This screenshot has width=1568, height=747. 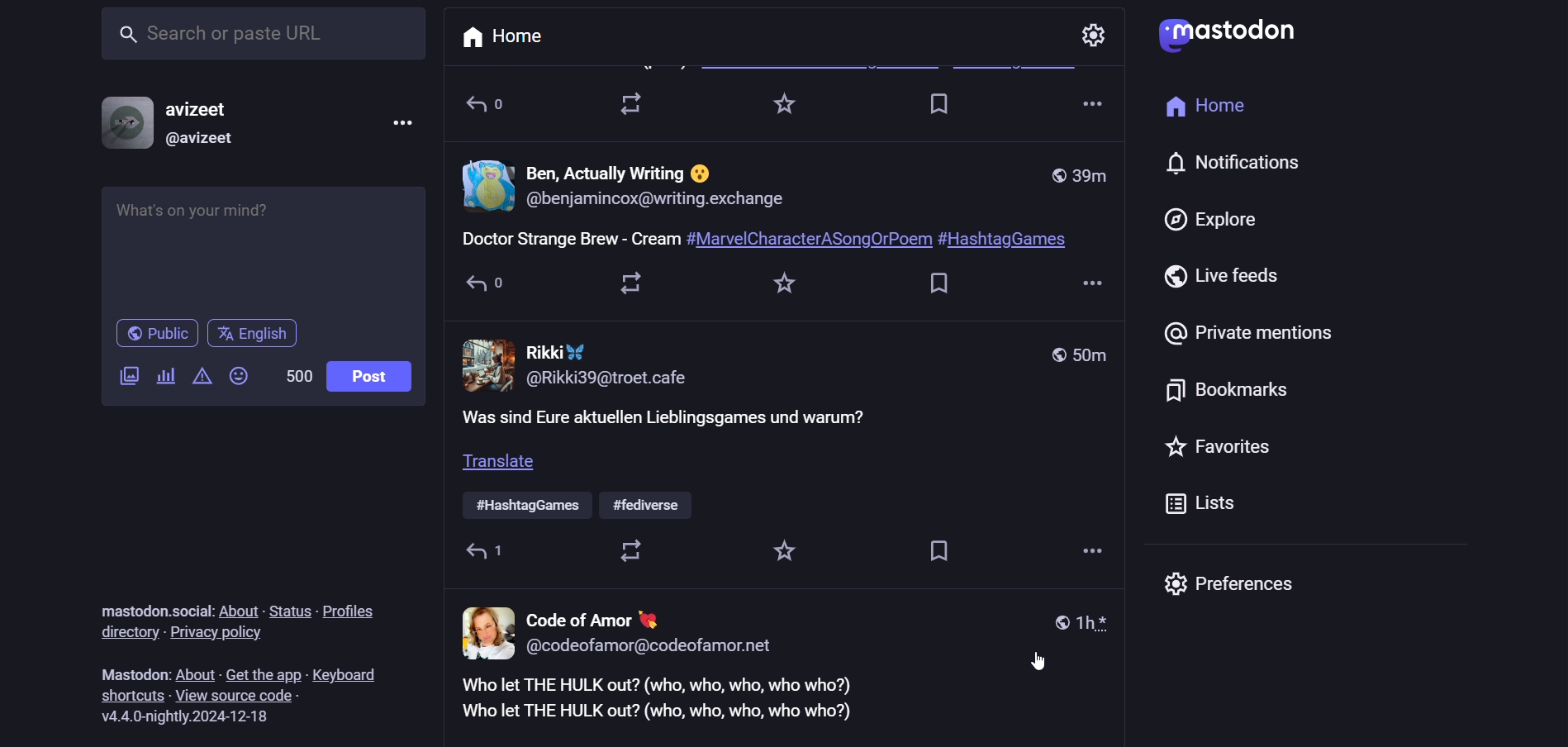 I want to click on whats on your mind, so click(x=268, y=249).